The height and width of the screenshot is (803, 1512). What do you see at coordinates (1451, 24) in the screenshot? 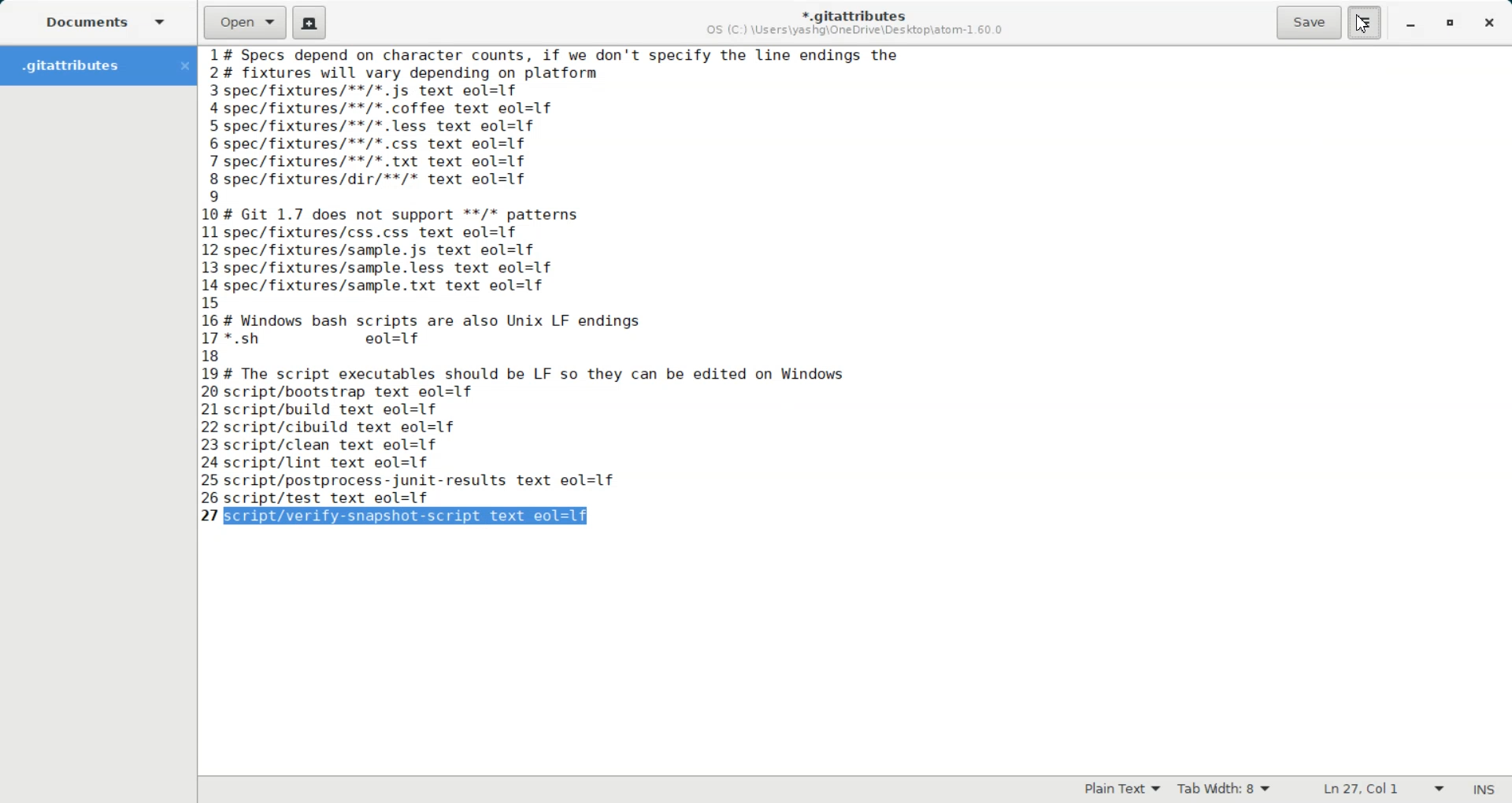
I see `Maximize` at bounding box center [1451, 24].